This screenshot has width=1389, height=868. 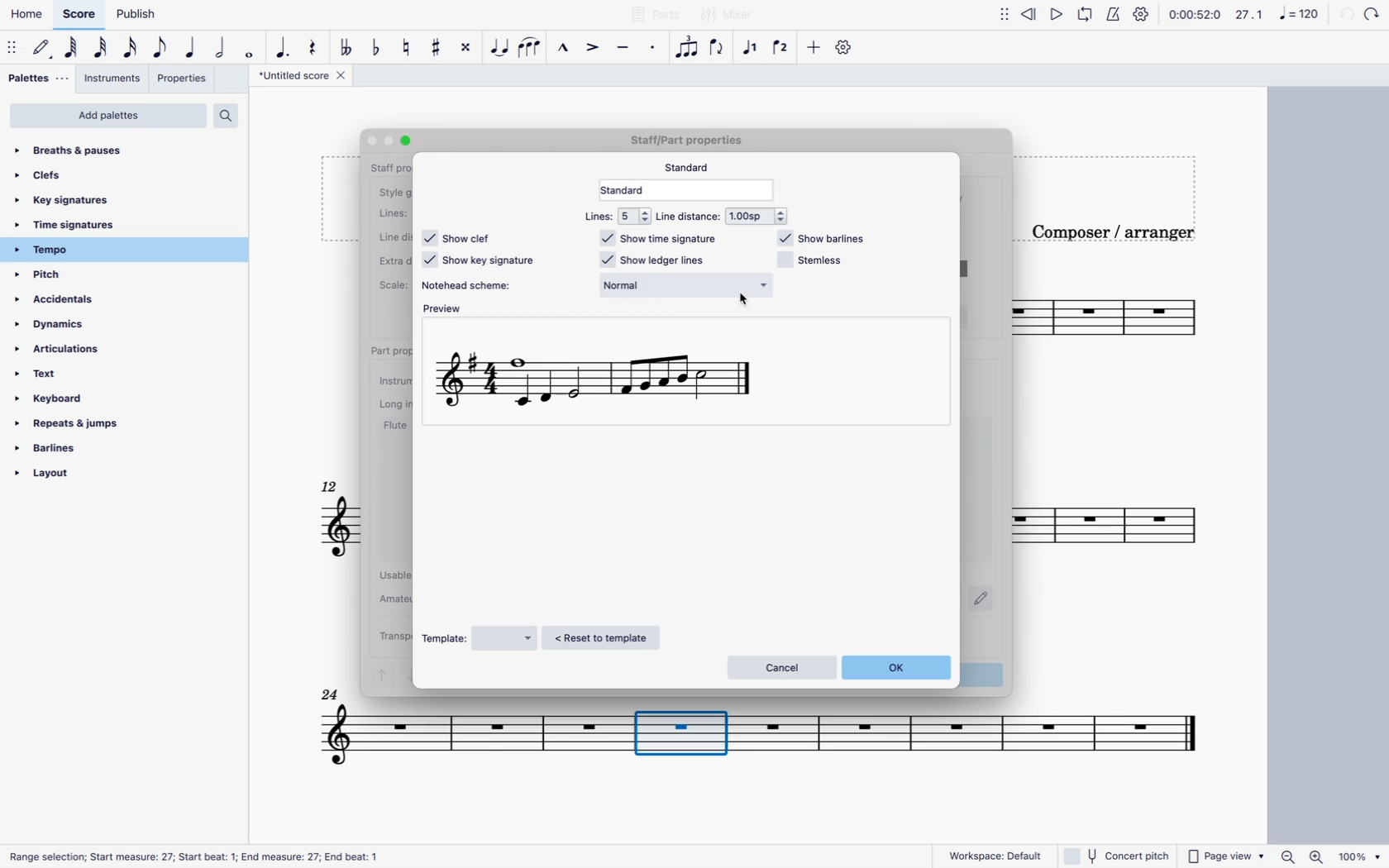 What do you see at coordinates (594, 47) in the screenshot?
I see `accent` at bounding box center [594, 47].